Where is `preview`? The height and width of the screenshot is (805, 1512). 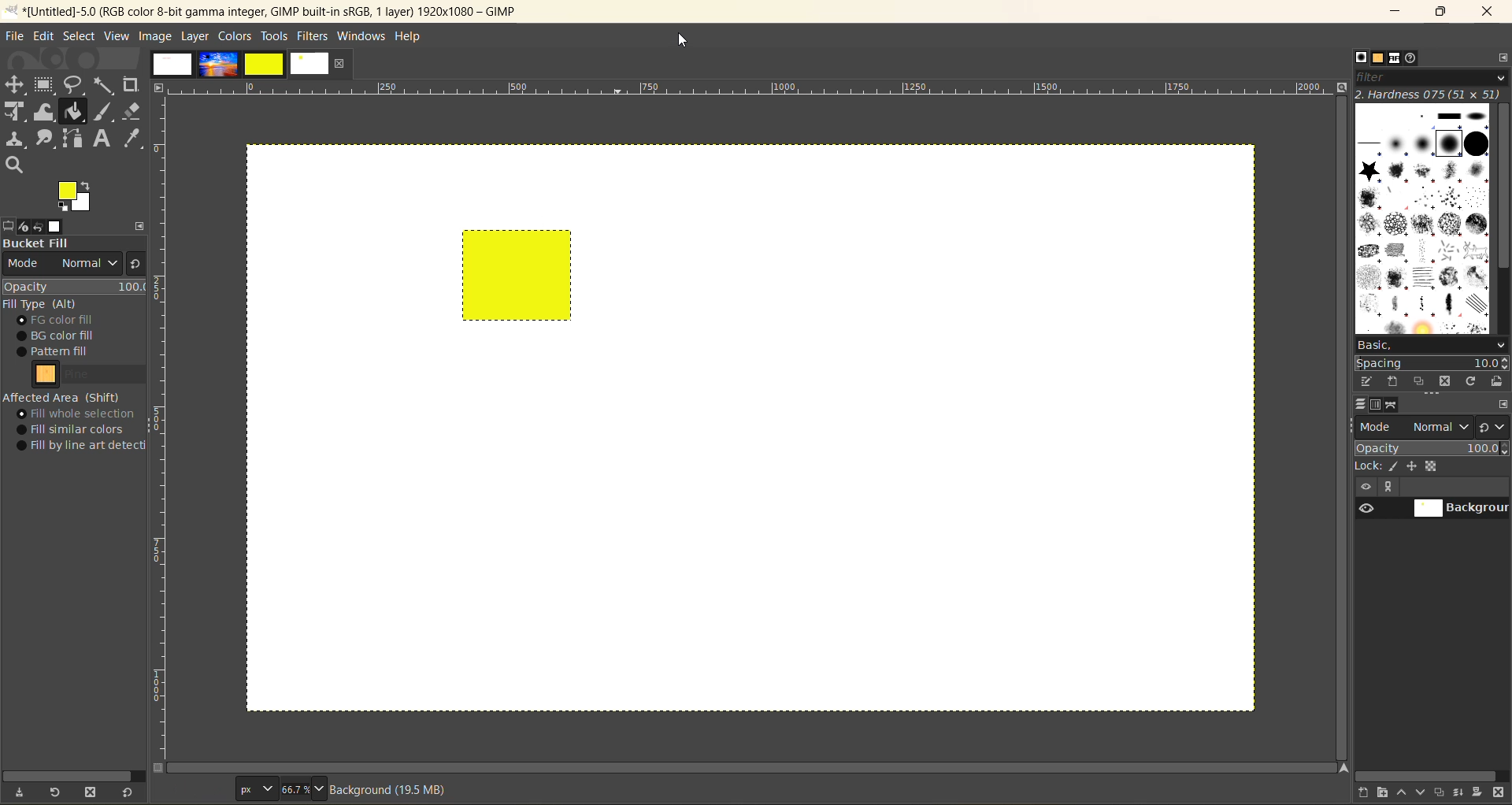
preview is located at coordinates (1365, 510).